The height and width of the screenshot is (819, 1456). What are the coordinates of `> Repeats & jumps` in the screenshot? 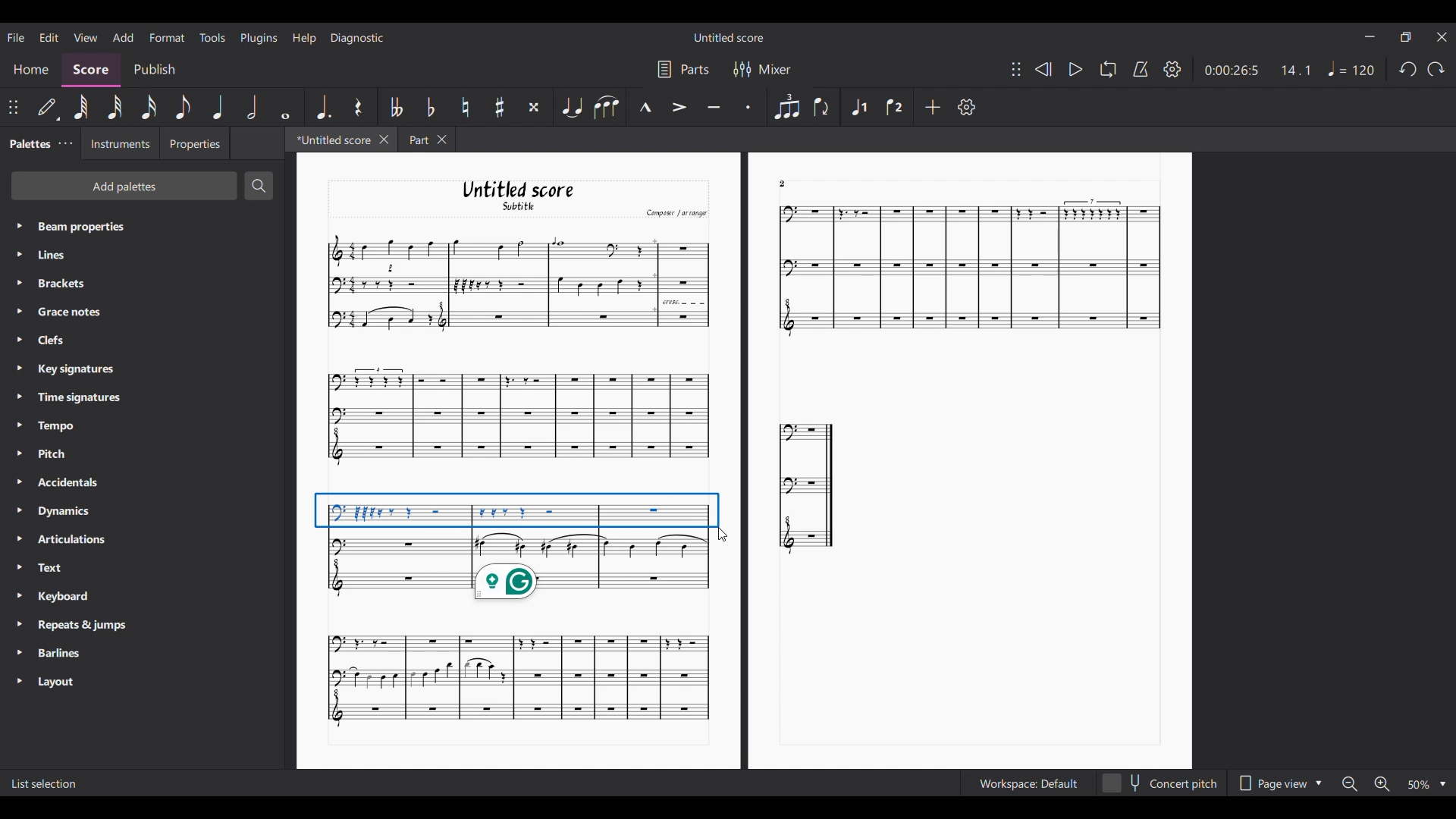 It's located at (74, 626).